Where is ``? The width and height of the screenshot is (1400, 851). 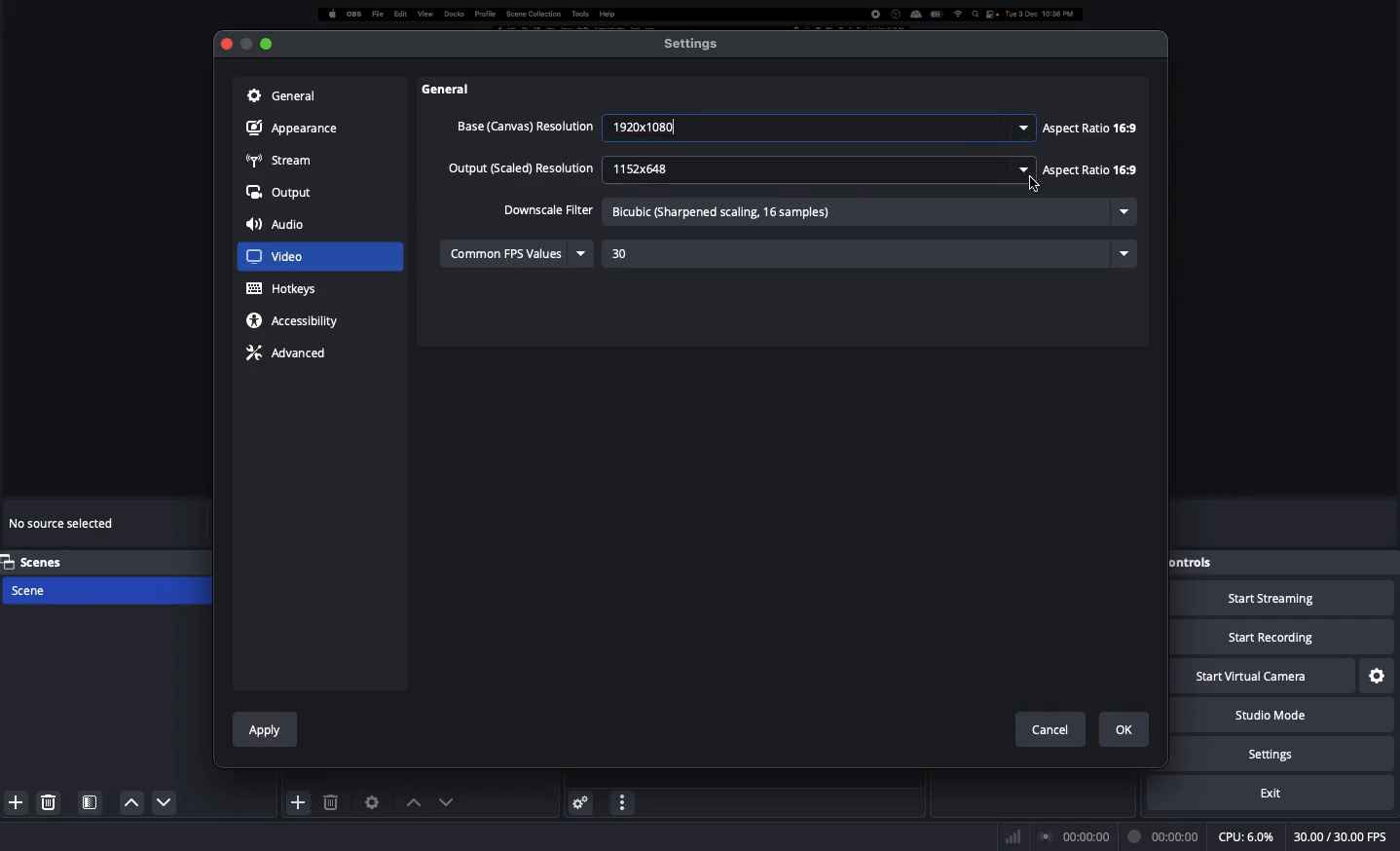
 is located at coordinates (458, 89).